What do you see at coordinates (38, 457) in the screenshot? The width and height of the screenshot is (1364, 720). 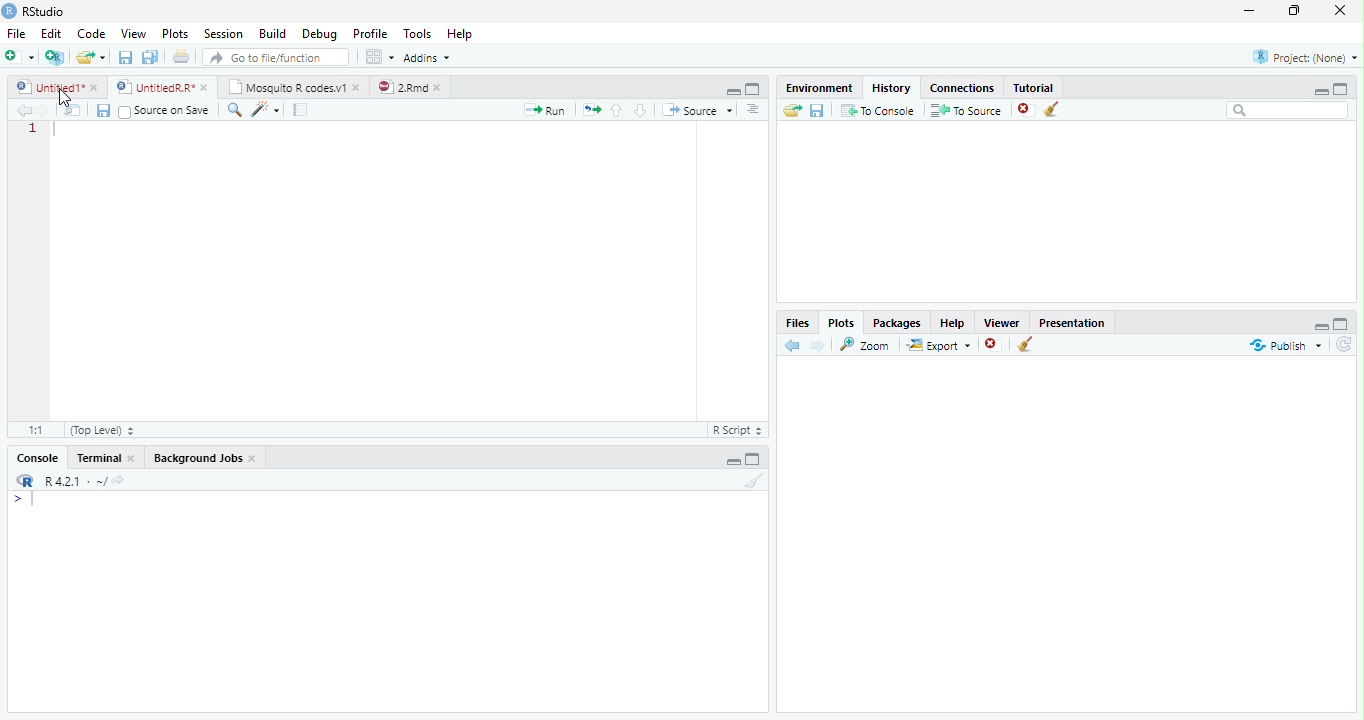 I see `Console` at bounding box center [38, 457].